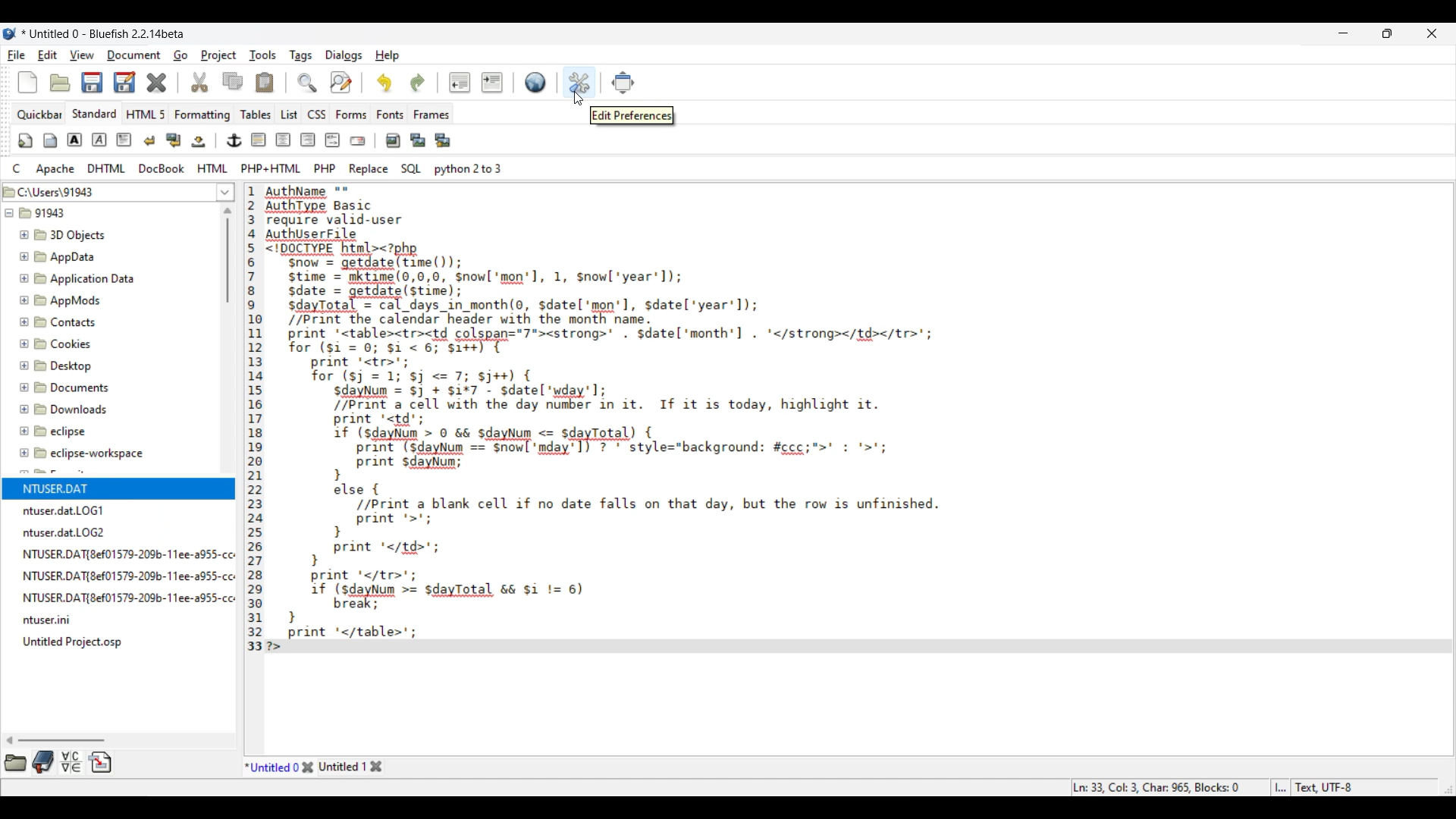  Describe the element at coordinates (265, 82) in the screenshot. I see `Paste` at that location.